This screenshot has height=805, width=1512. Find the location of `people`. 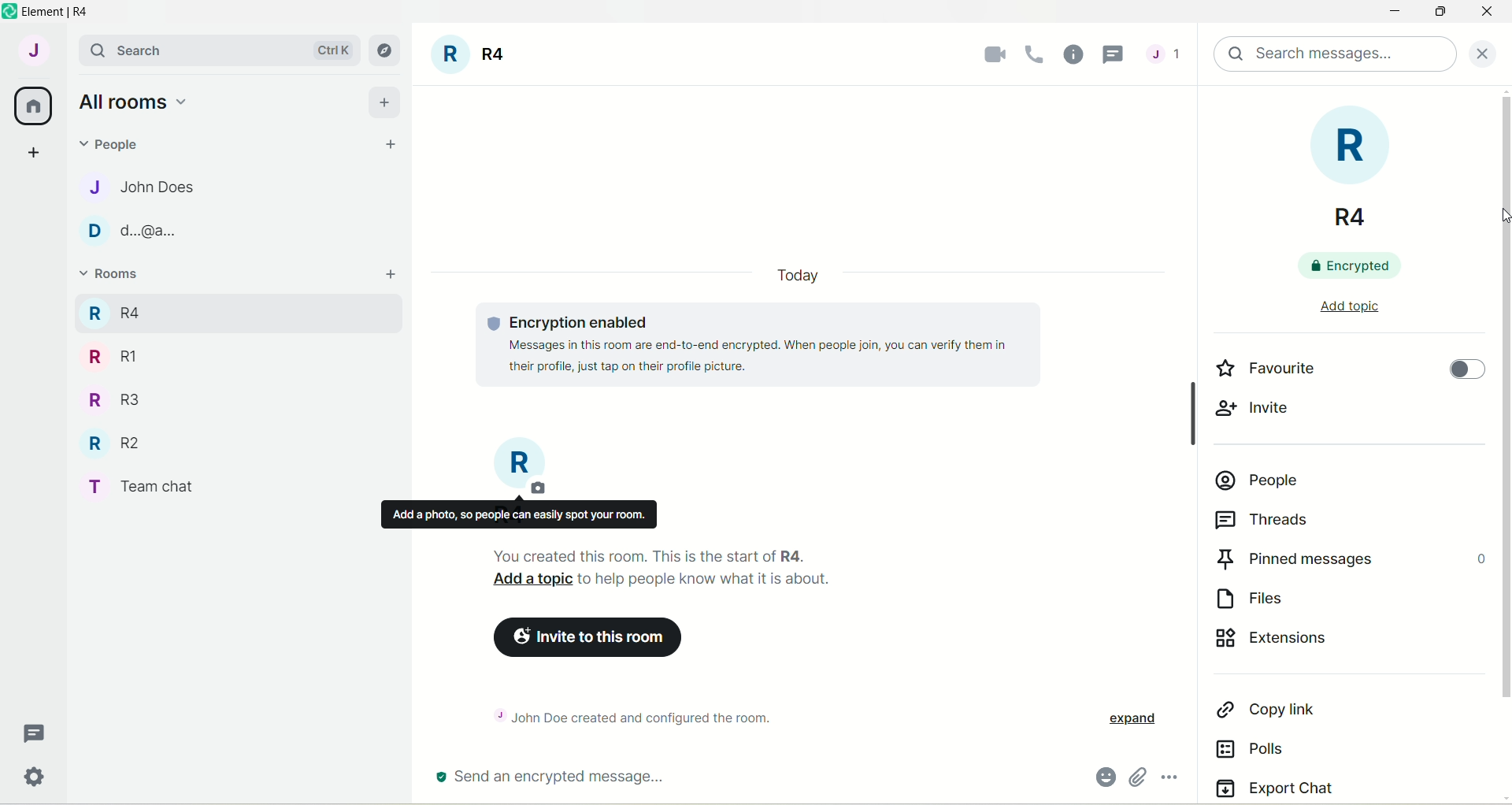

people is located at coordinates (115, 143).